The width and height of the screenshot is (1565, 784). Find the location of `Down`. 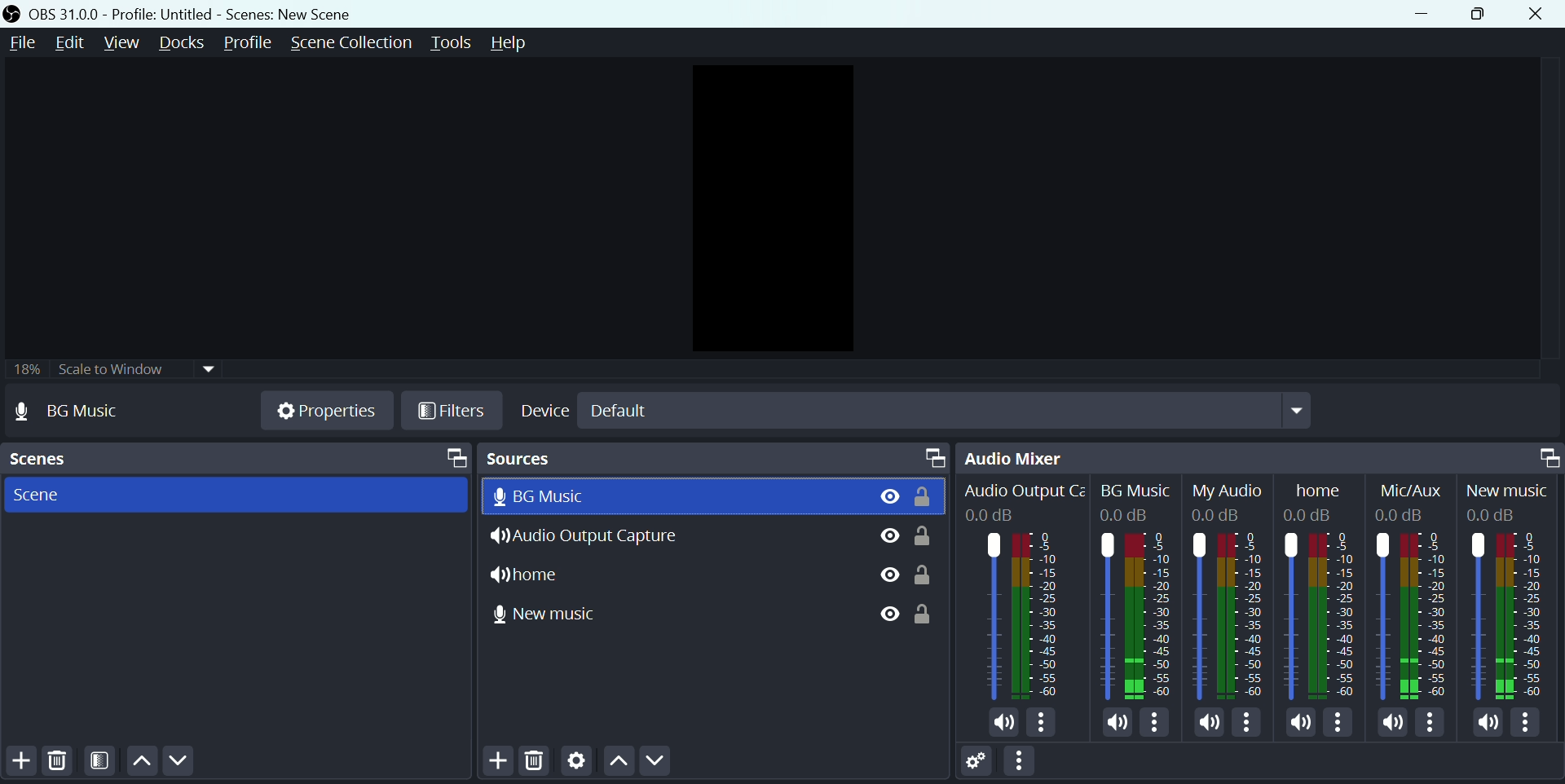

Down is located at coordinates (681, 765).